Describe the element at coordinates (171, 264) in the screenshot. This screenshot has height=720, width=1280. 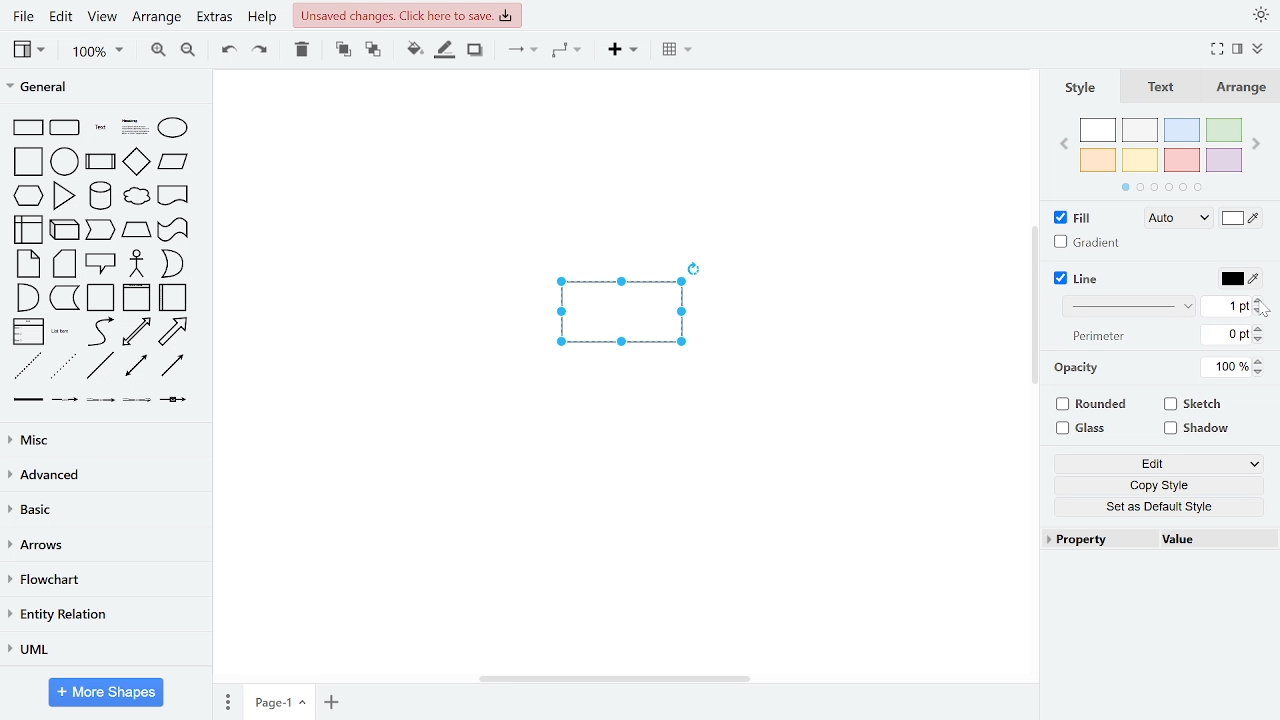
I see `general shapes` at that location.